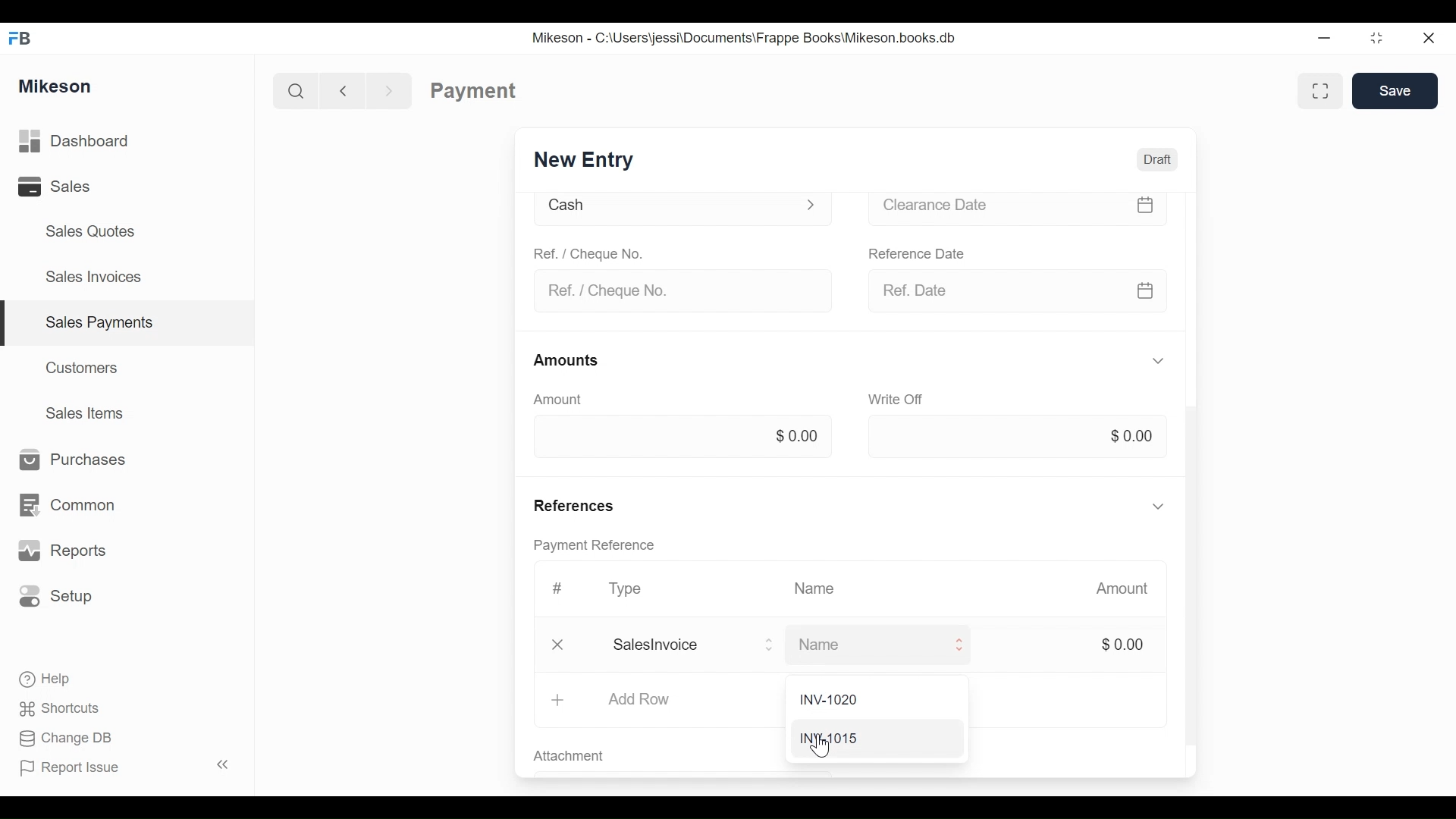 Image resolution: width=1456 pixels, height=819 pixels. Describe the element at coordinates (24, 36) in the screenshot. I see `FB` at that location.